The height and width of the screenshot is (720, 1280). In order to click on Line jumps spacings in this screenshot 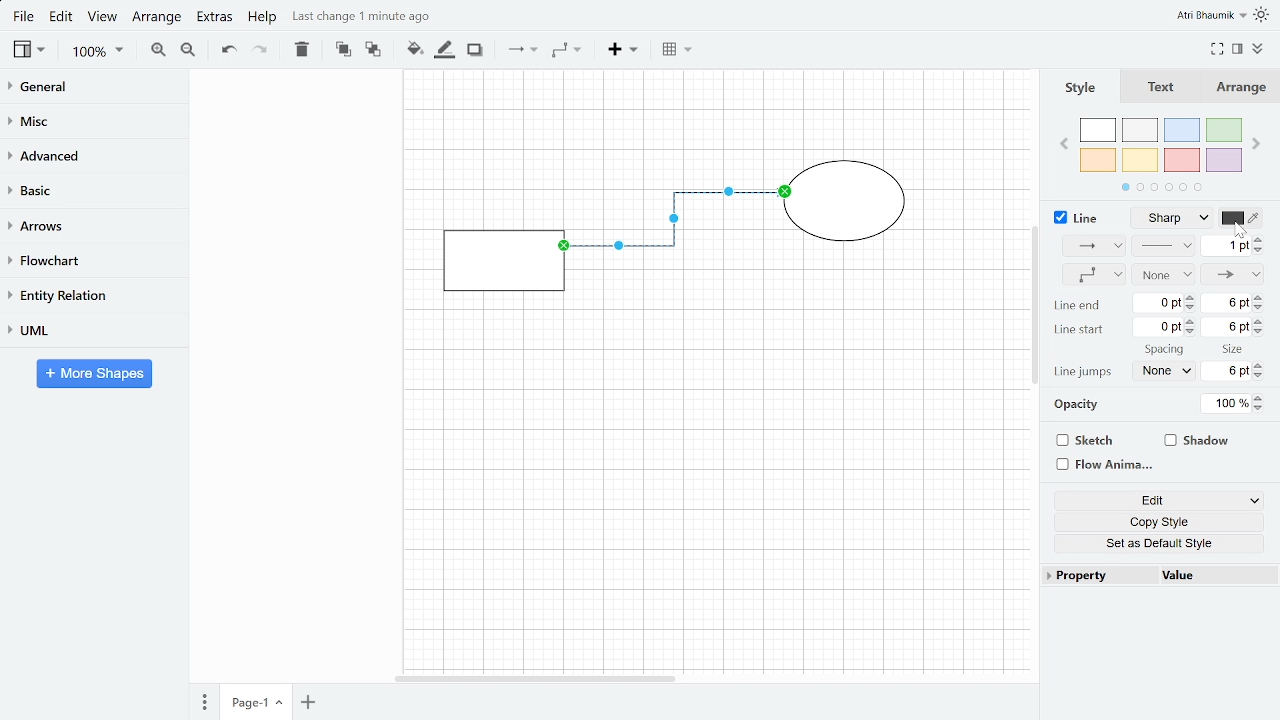, I will do `click(1226, 370)`.